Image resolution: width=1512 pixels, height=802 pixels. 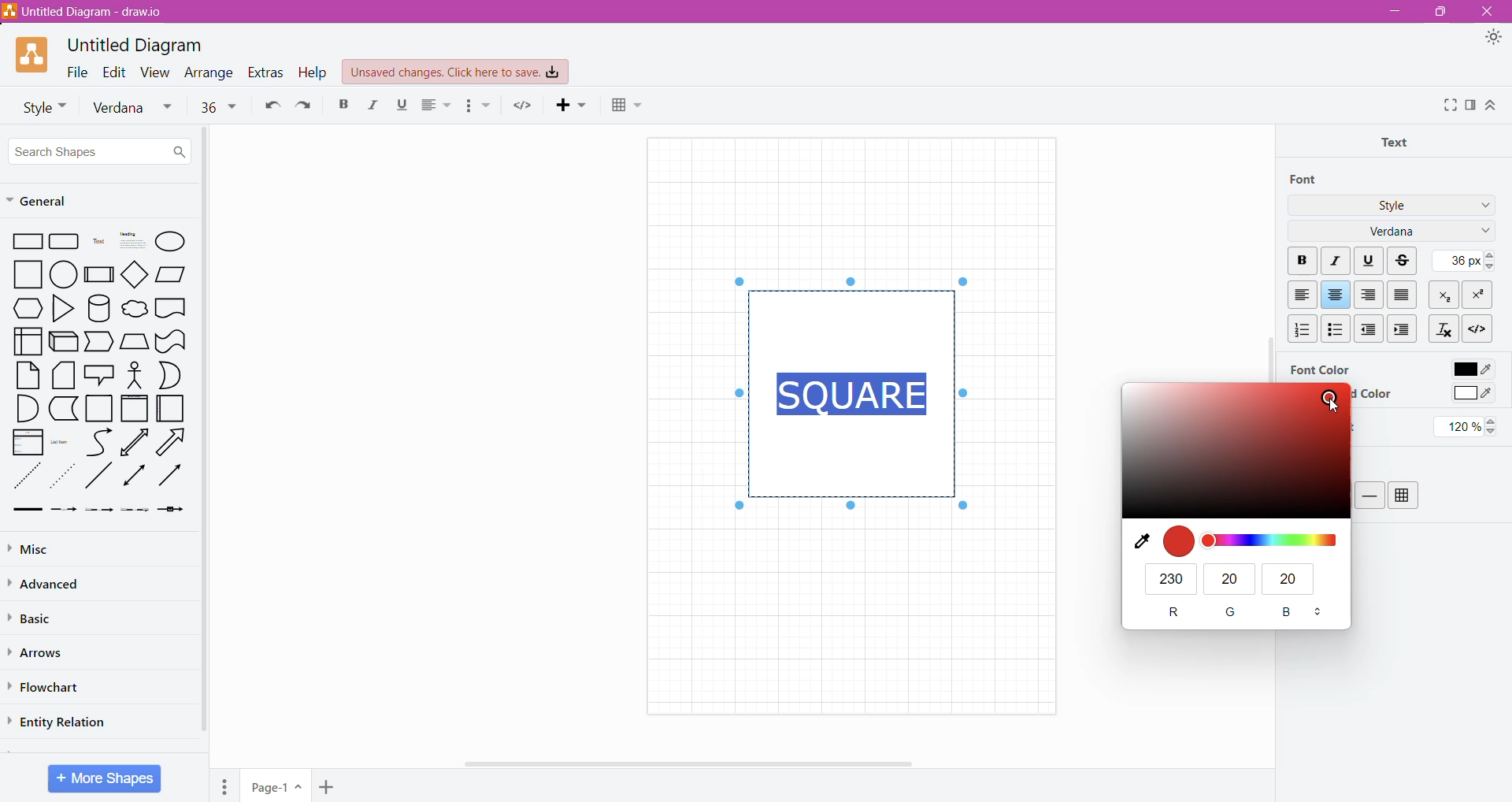 What do you see at coordinates (171, 307) in the screenshot?
I see `document` at bounding box center [171, 307].